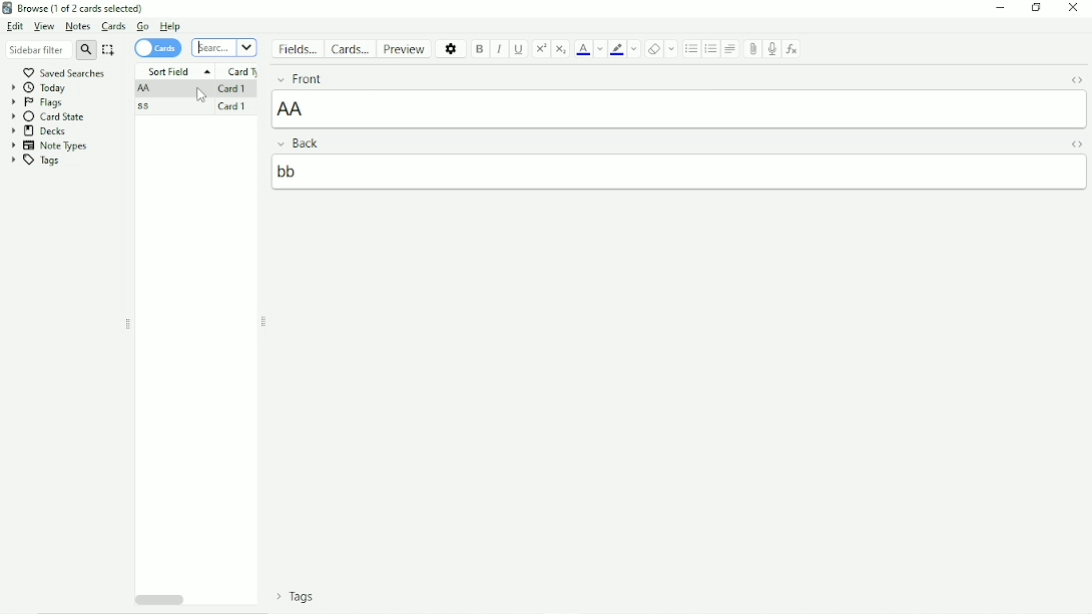 The image size is (1092, 614). What do you see at coordinates (241, 71) in the screenshot?
I see `Card Type` at bounding box center [241, 71].